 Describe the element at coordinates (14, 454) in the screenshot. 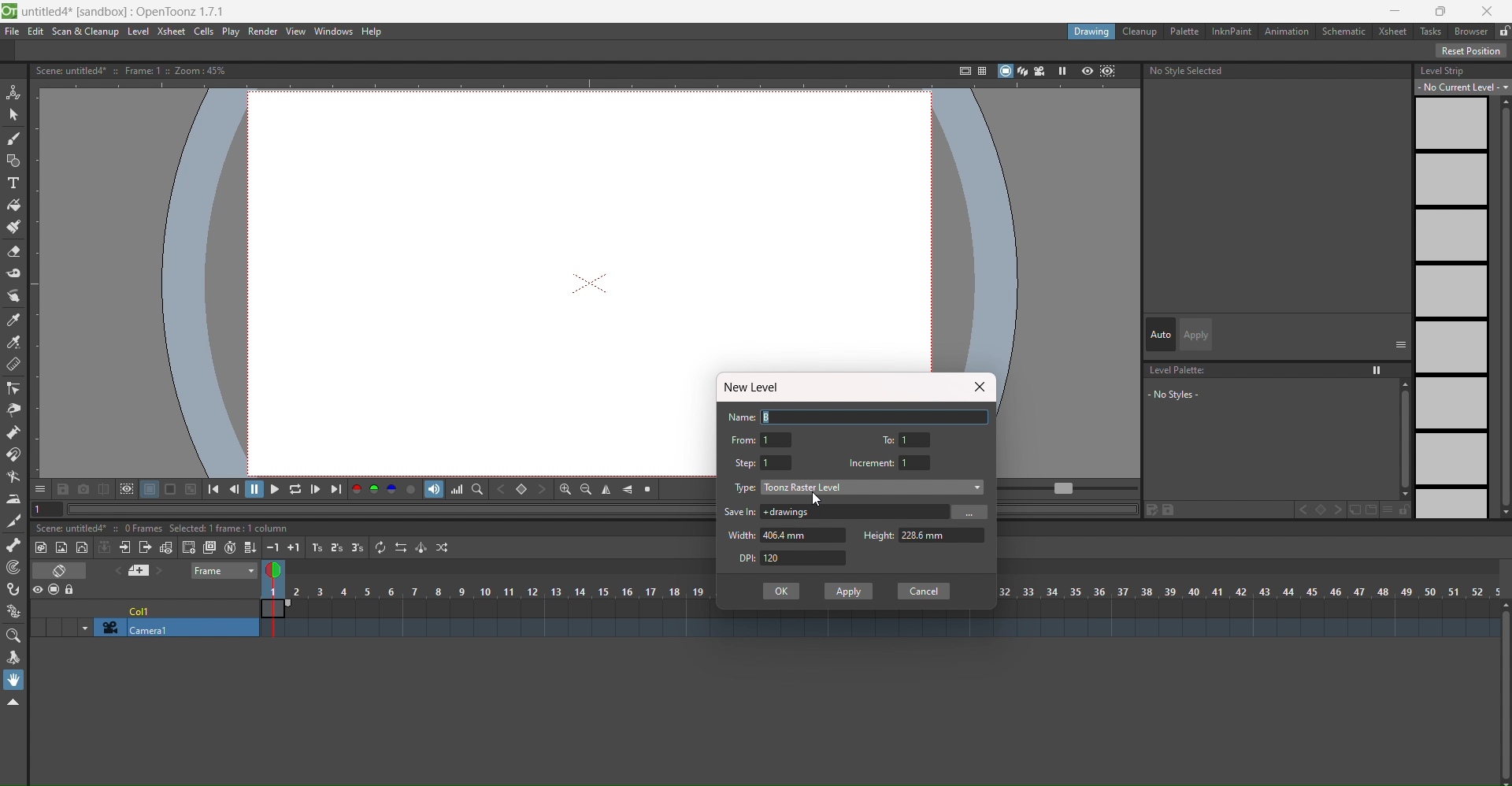

I see `magnet tool` at that location.